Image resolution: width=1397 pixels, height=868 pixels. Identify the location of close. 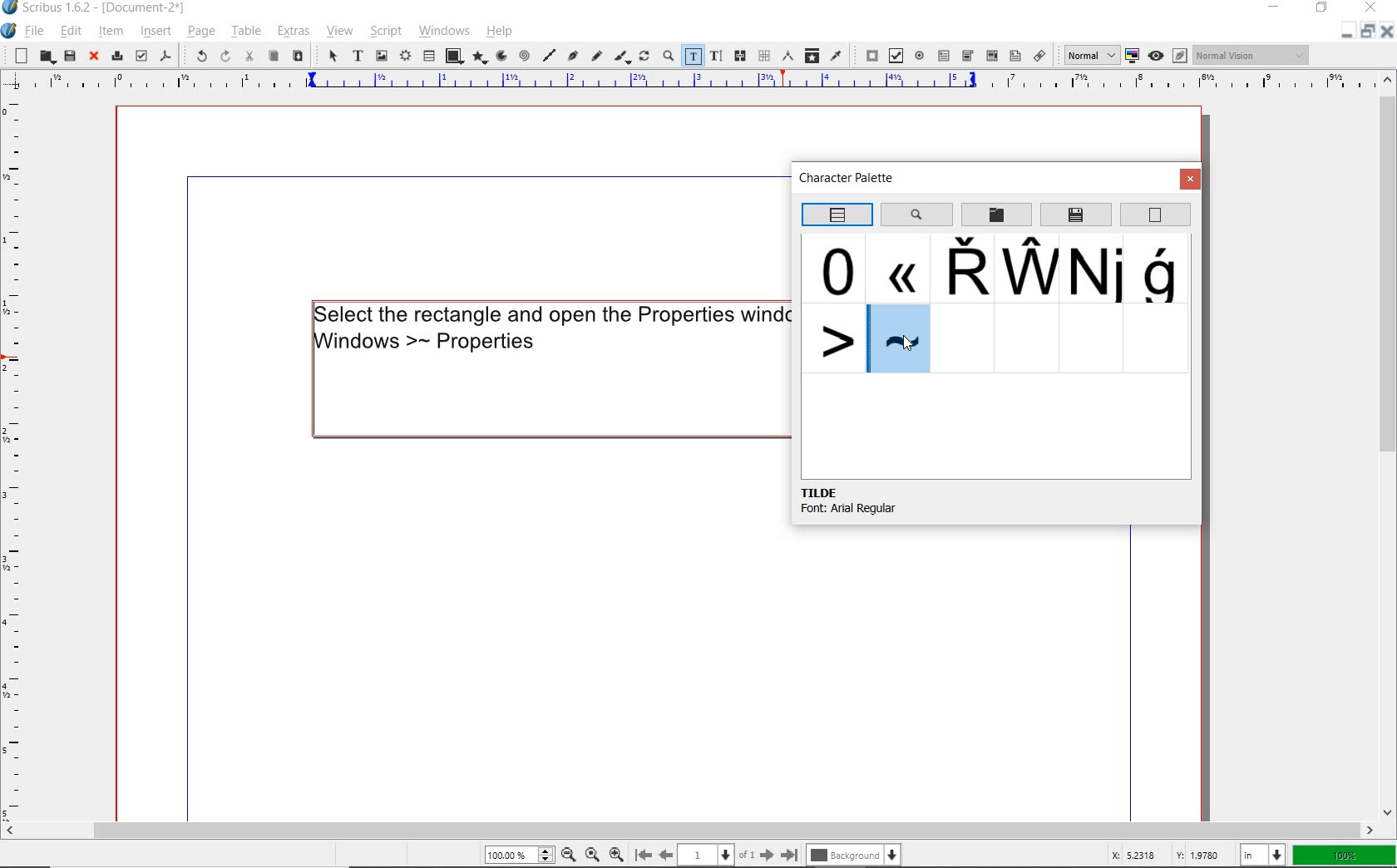
(1387, 35).